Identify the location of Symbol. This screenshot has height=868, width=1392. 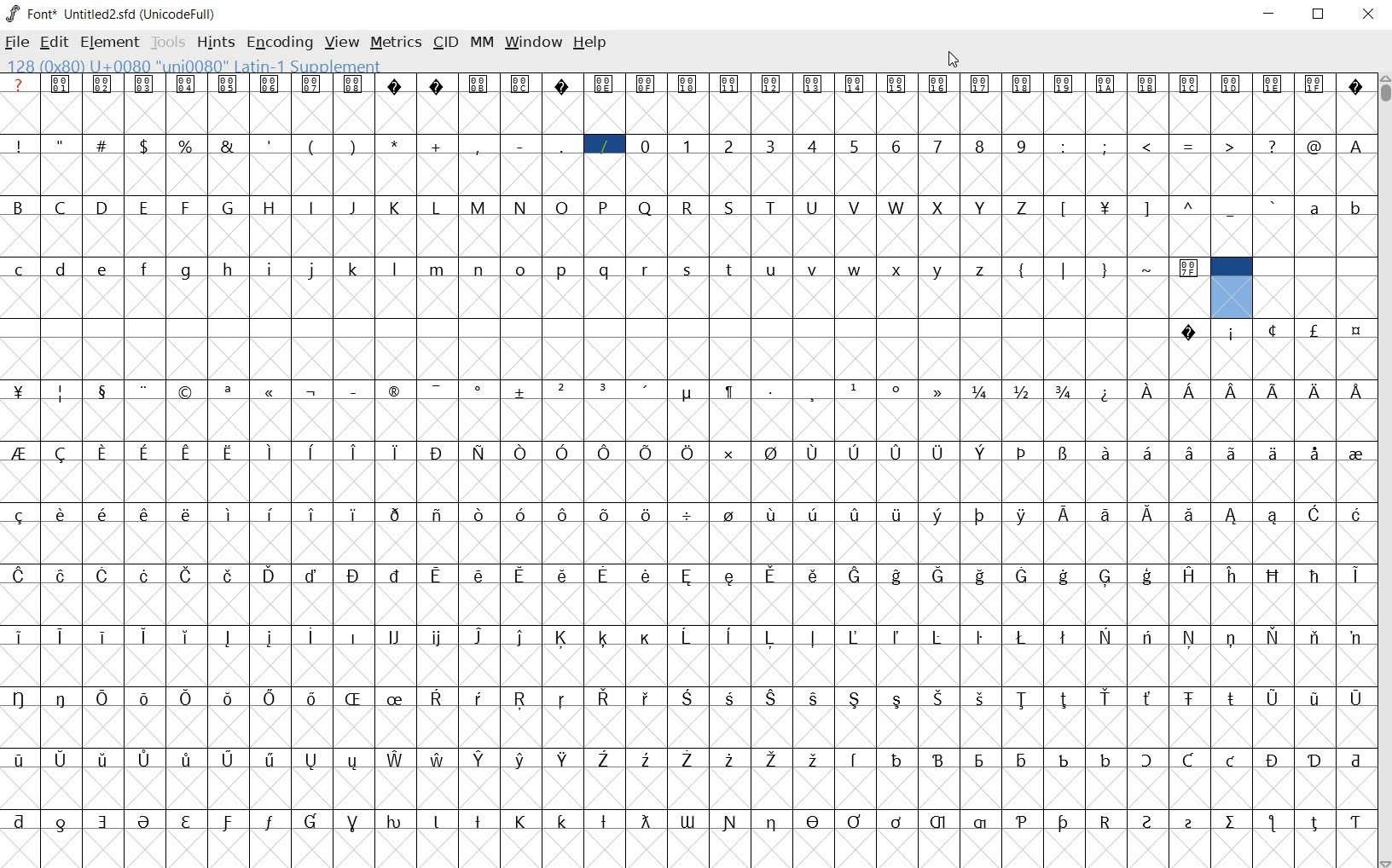
(1986, 293).